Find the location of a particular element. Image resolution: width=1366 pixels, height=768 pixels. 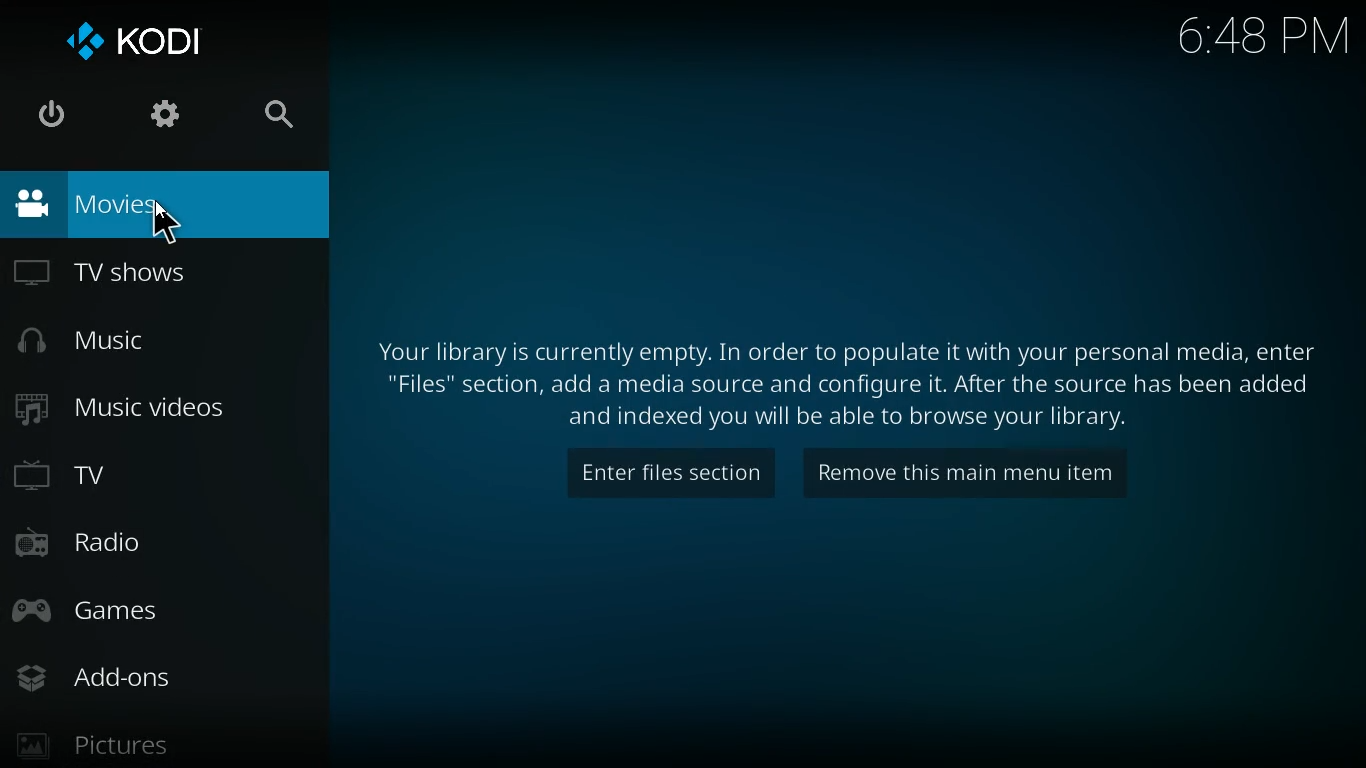

remove this main menu item is located at coordinates (986, 475).